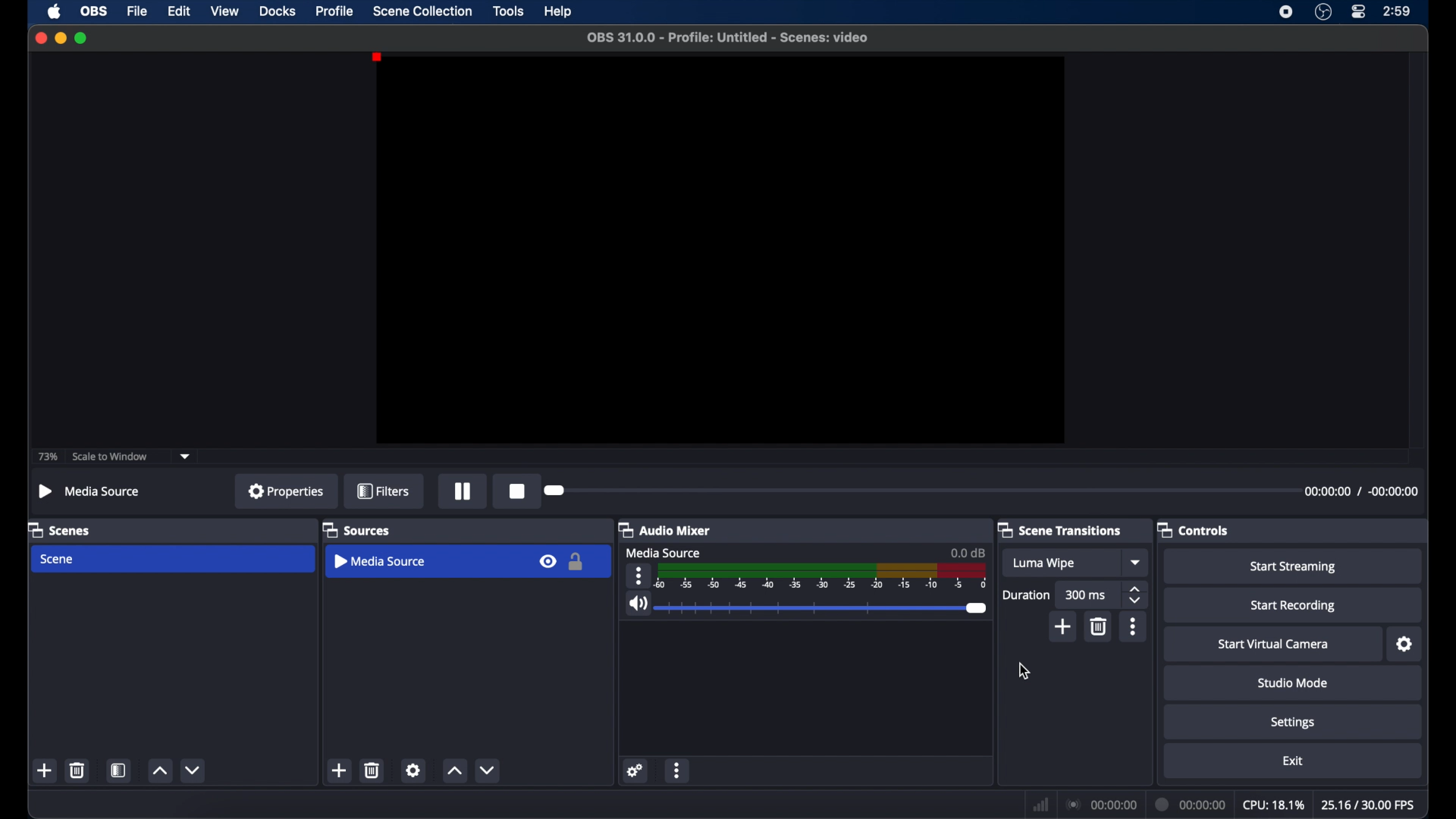 The width and height of the screenshot is (1456, 819). What do you see at coordinates (1025, 672) in the screenshot?
I see `cursor` at bounding box center [1025, 672].